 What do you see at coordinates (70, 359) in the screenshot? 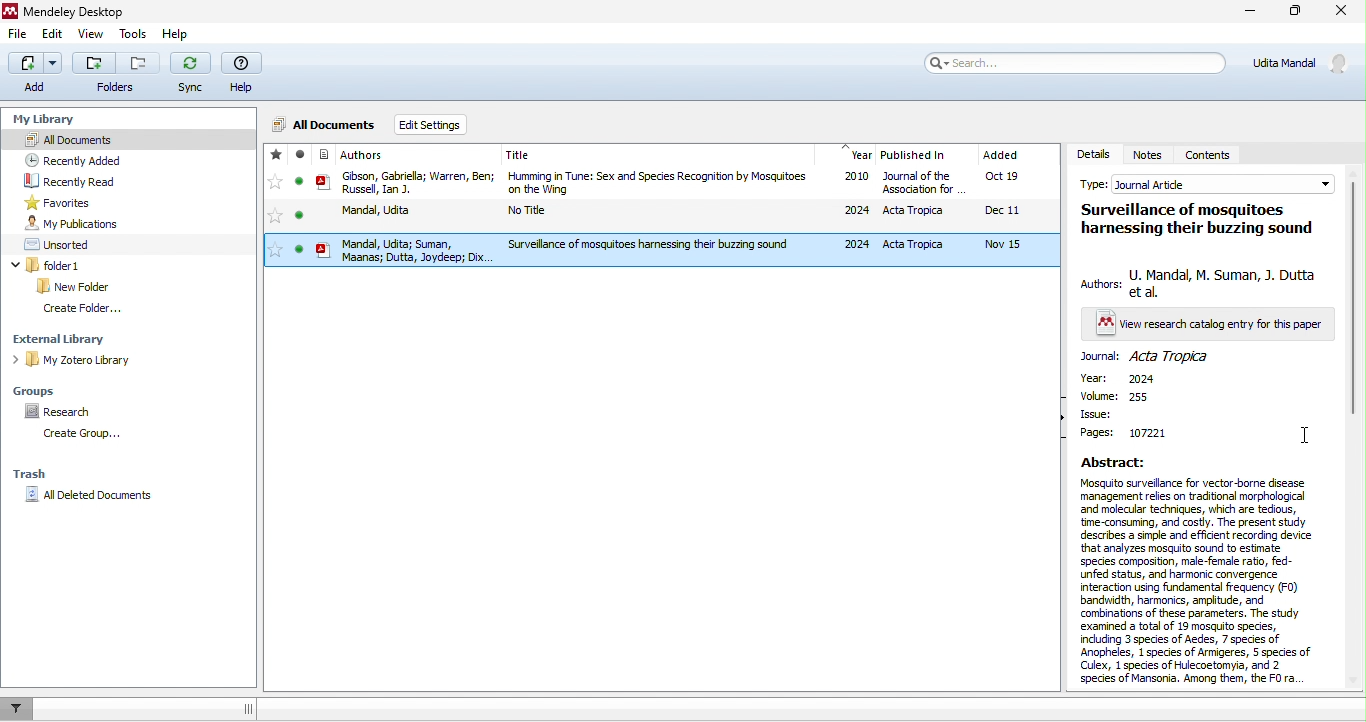
I see `my zotero library` at bounding box center [70, 359].